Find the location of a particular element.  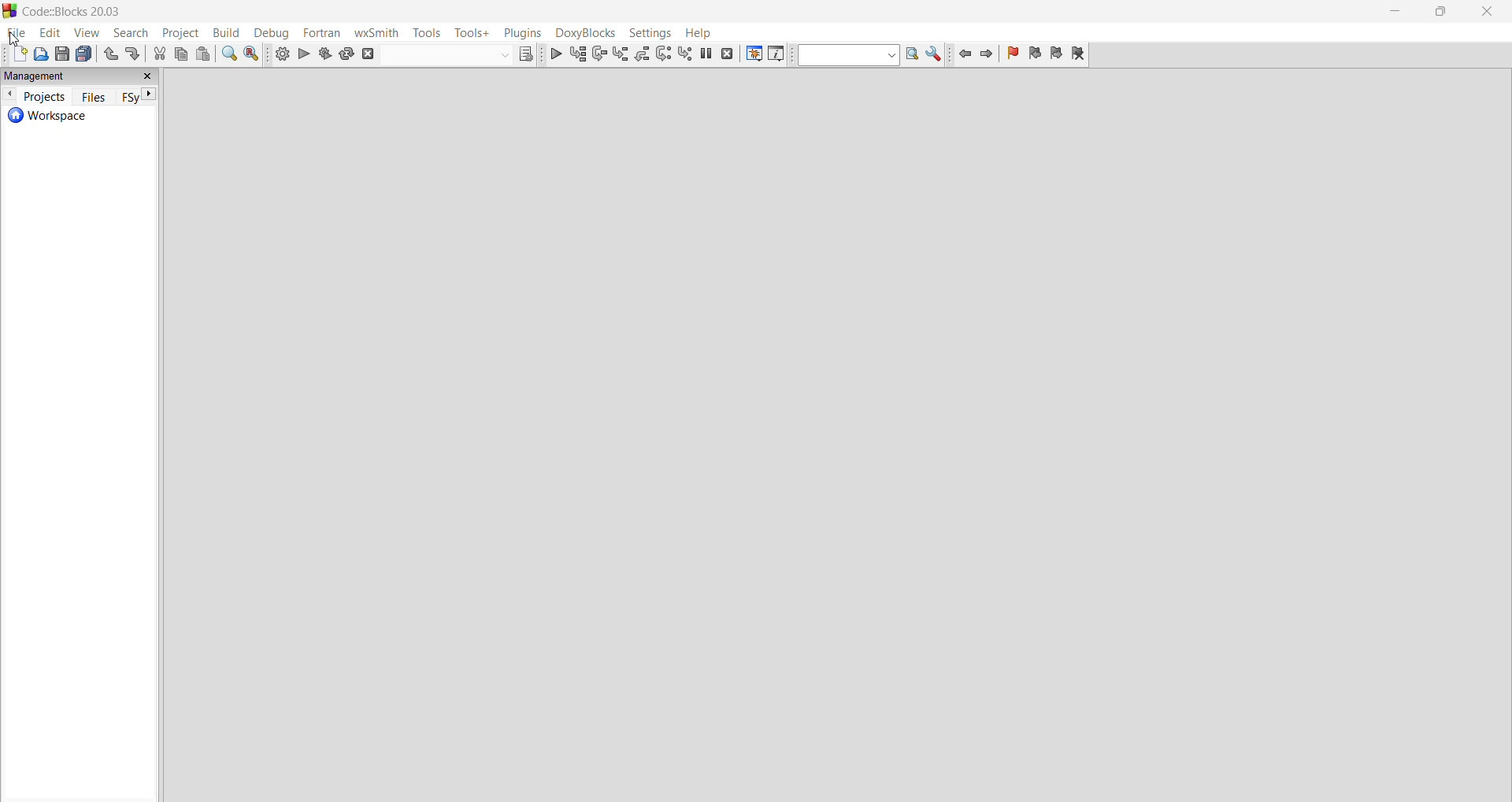

files is located at coordinates (96, 95).